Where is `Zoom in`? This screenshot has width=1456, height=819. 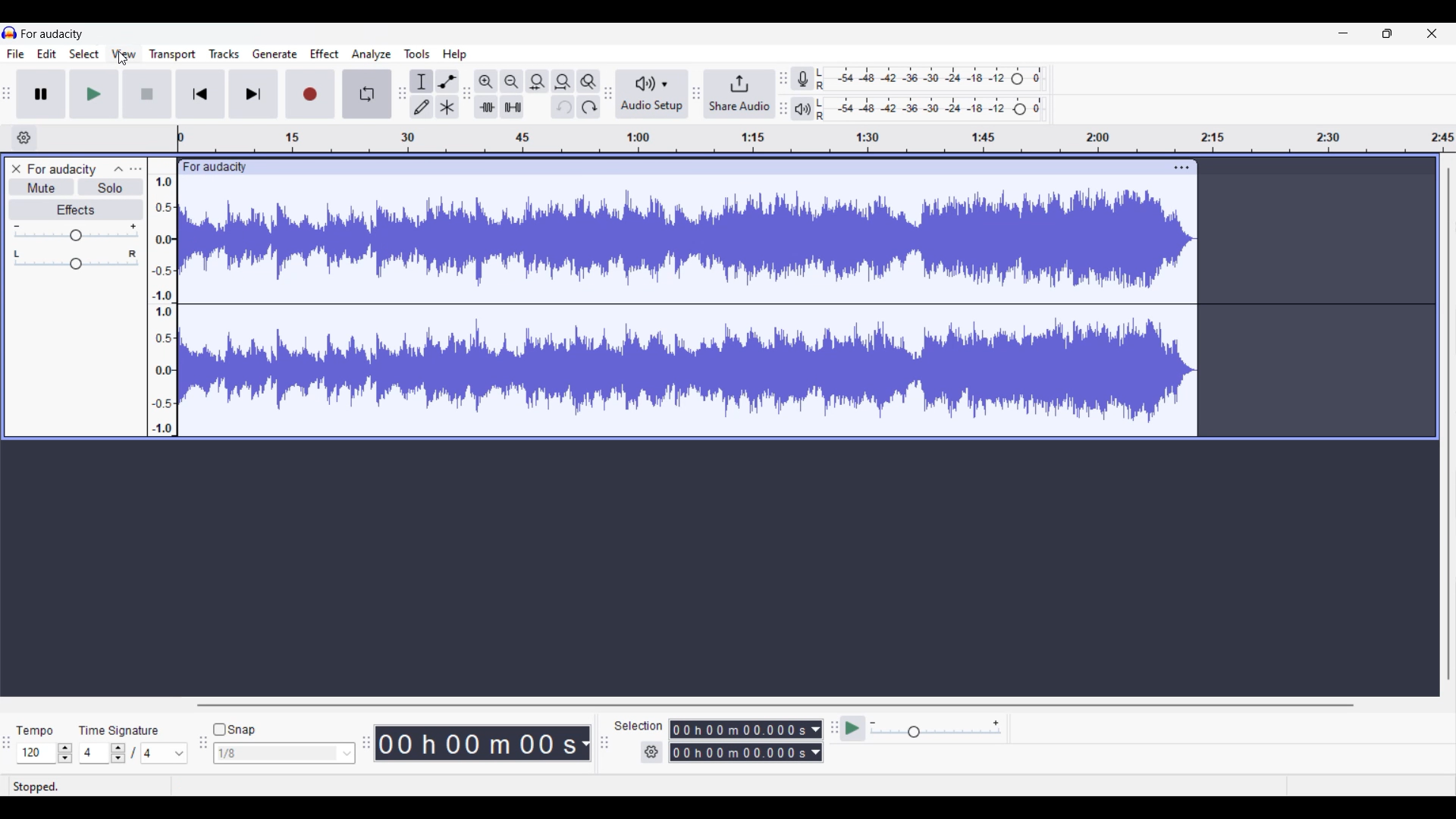 Zoom in is located at coordinates (486, 82).